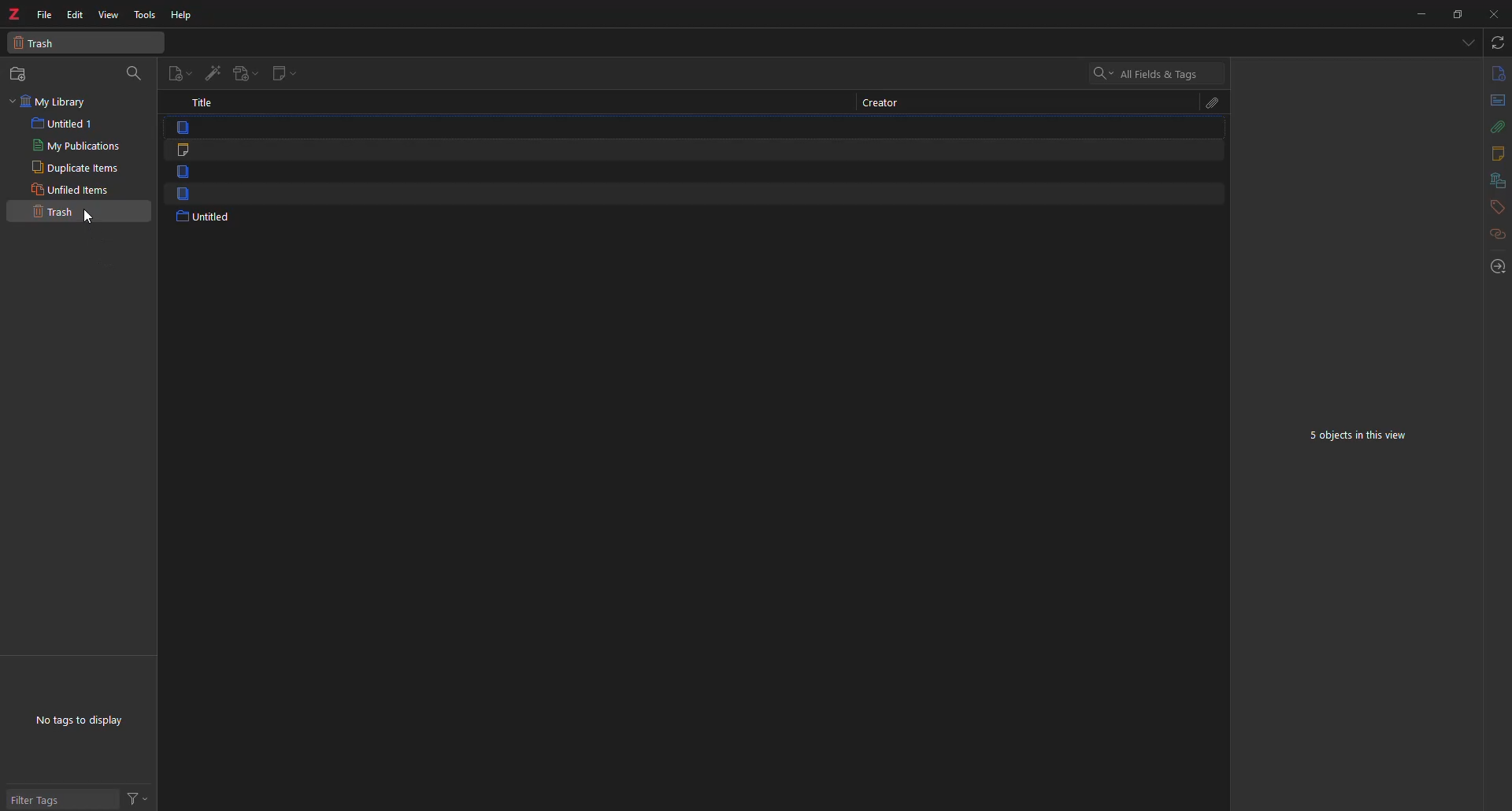 The height and width of the screenshot is (811, 1512). I want to click on item, so click(183, 128).